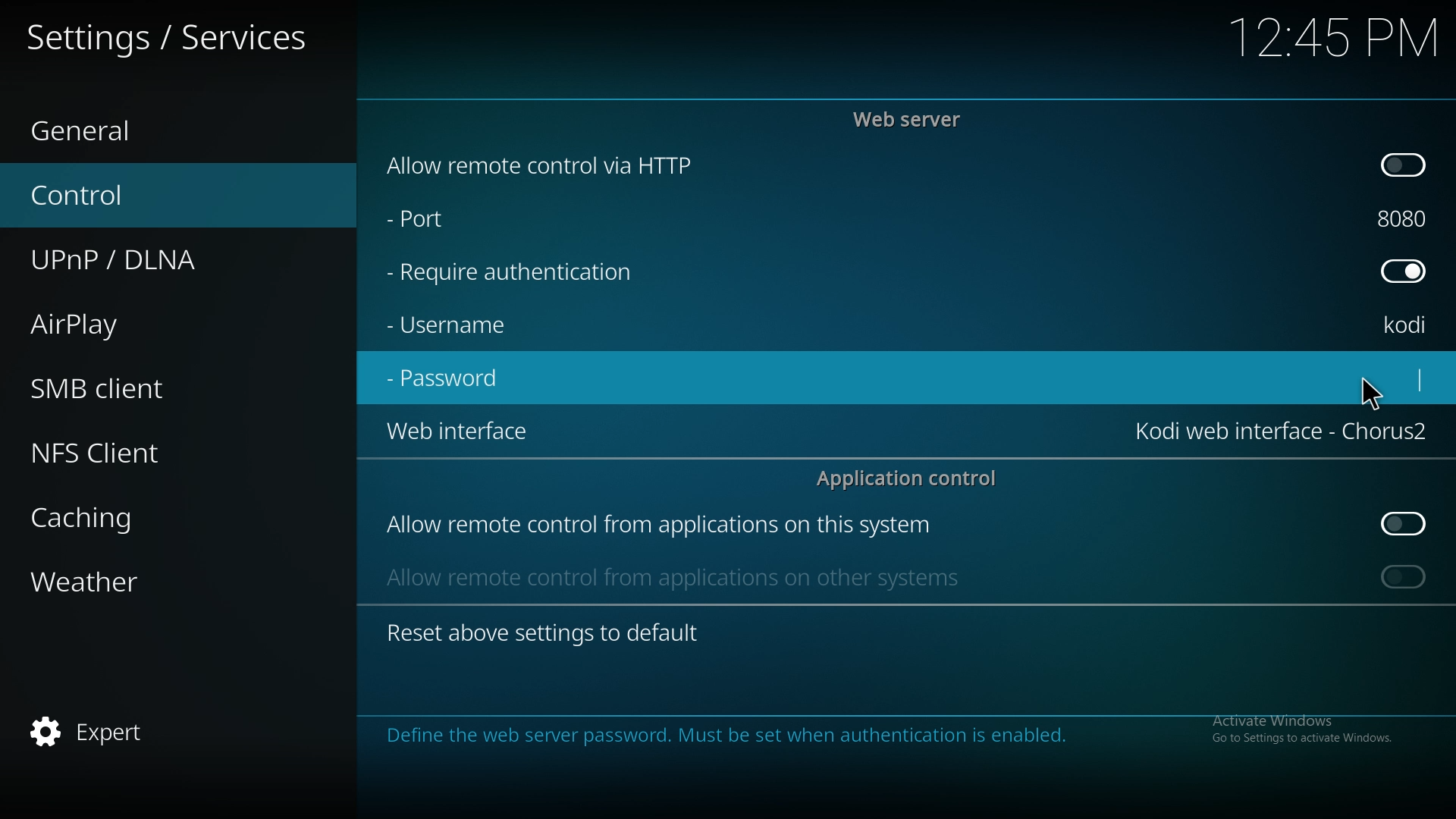 This screenshot has width=1456, height=819. I want to click on web interface, so click(1282, 428).